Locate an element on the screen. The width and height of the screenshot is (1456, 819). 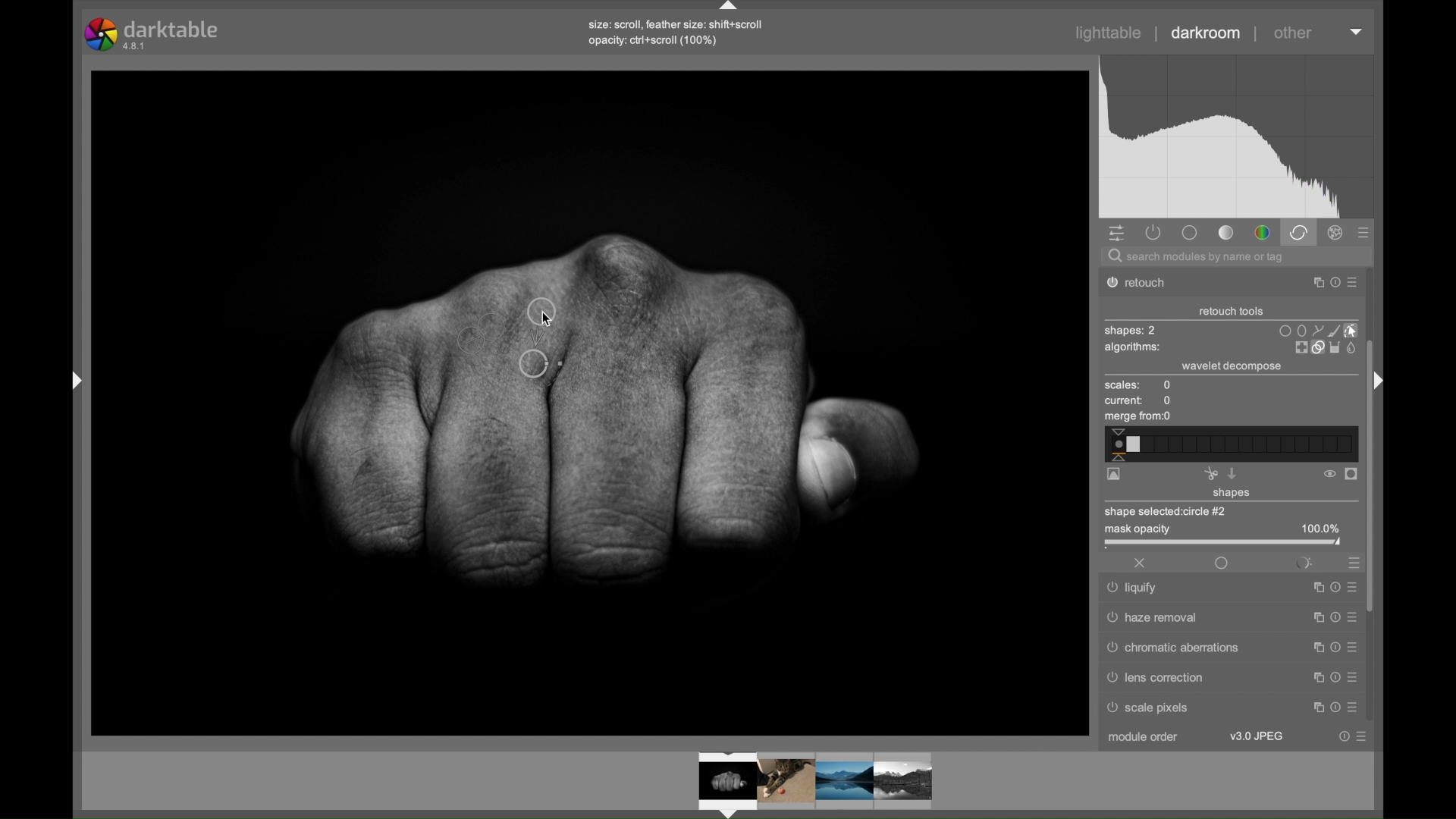
maximize is located at coordinates (1313, 617).